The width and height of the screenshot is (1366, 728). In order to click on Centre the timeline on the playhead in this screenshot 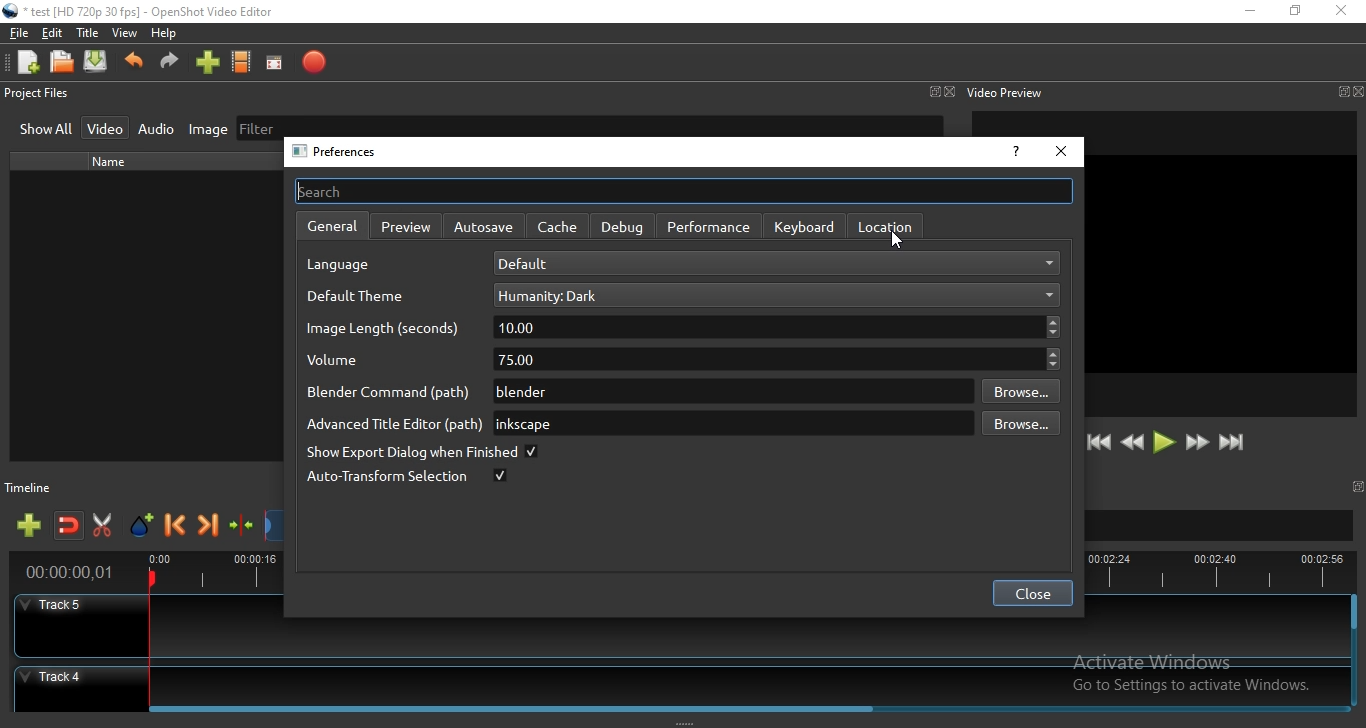, I will do `click(242, 529)`.